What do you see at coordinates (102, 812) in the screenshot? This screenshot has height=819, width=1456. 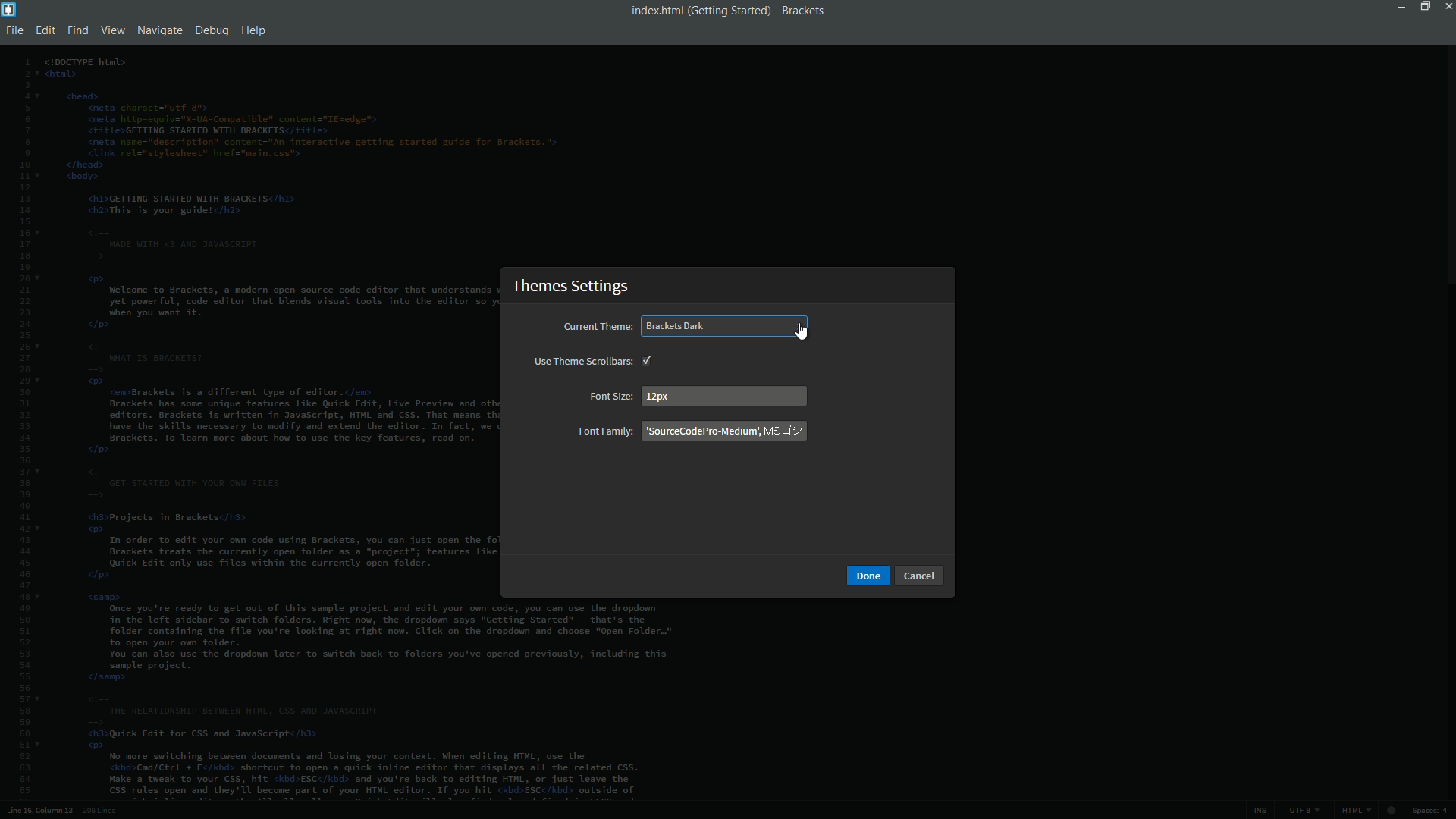 I see `number of lines` at bounding box center [102, 812].